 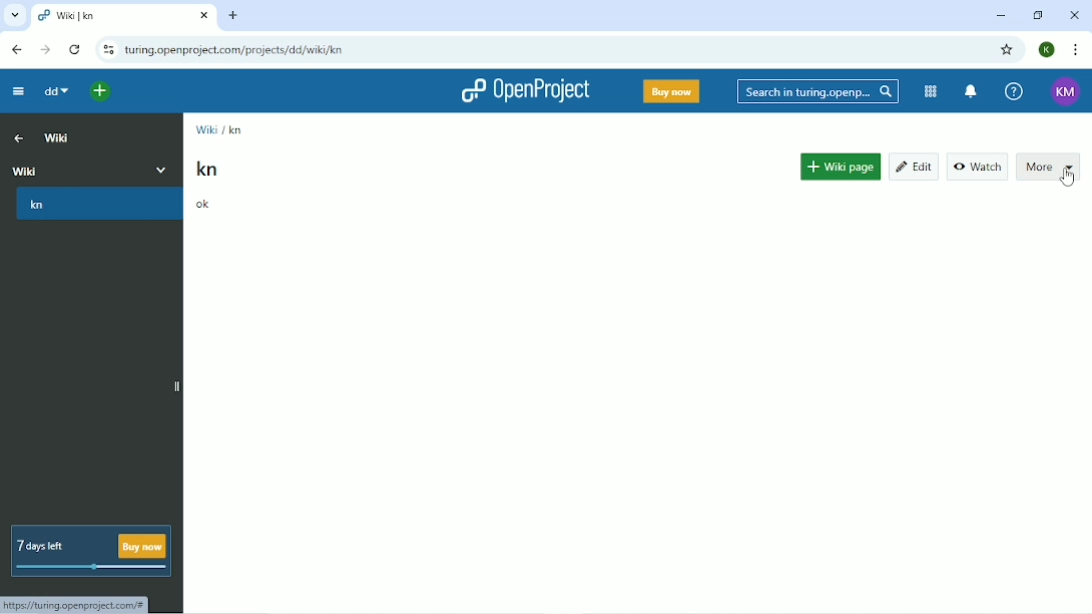 I want to click on Watch, so click(x=979, y=167).